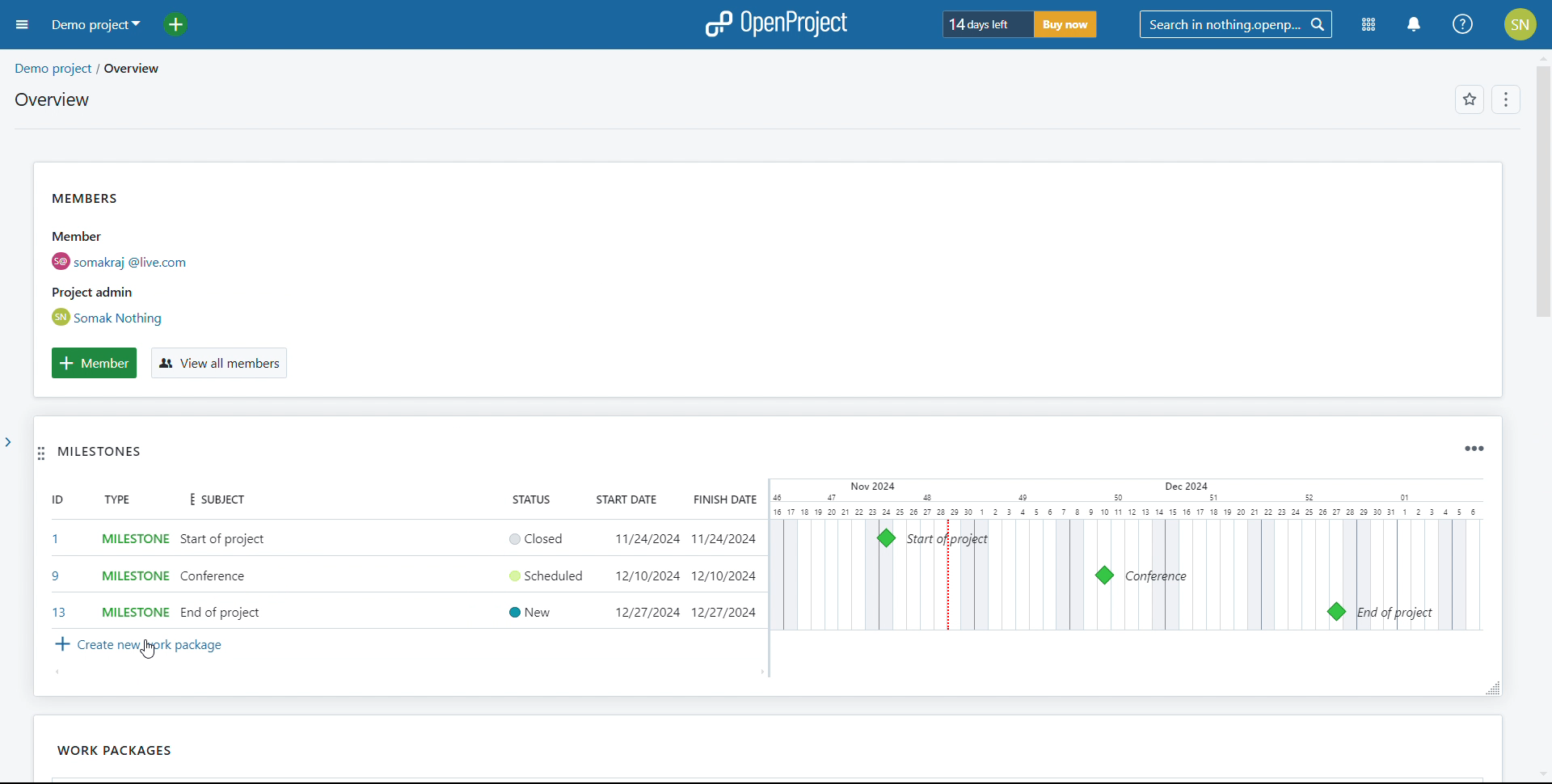  I want to click on MILESTONES, so click(120, 456).